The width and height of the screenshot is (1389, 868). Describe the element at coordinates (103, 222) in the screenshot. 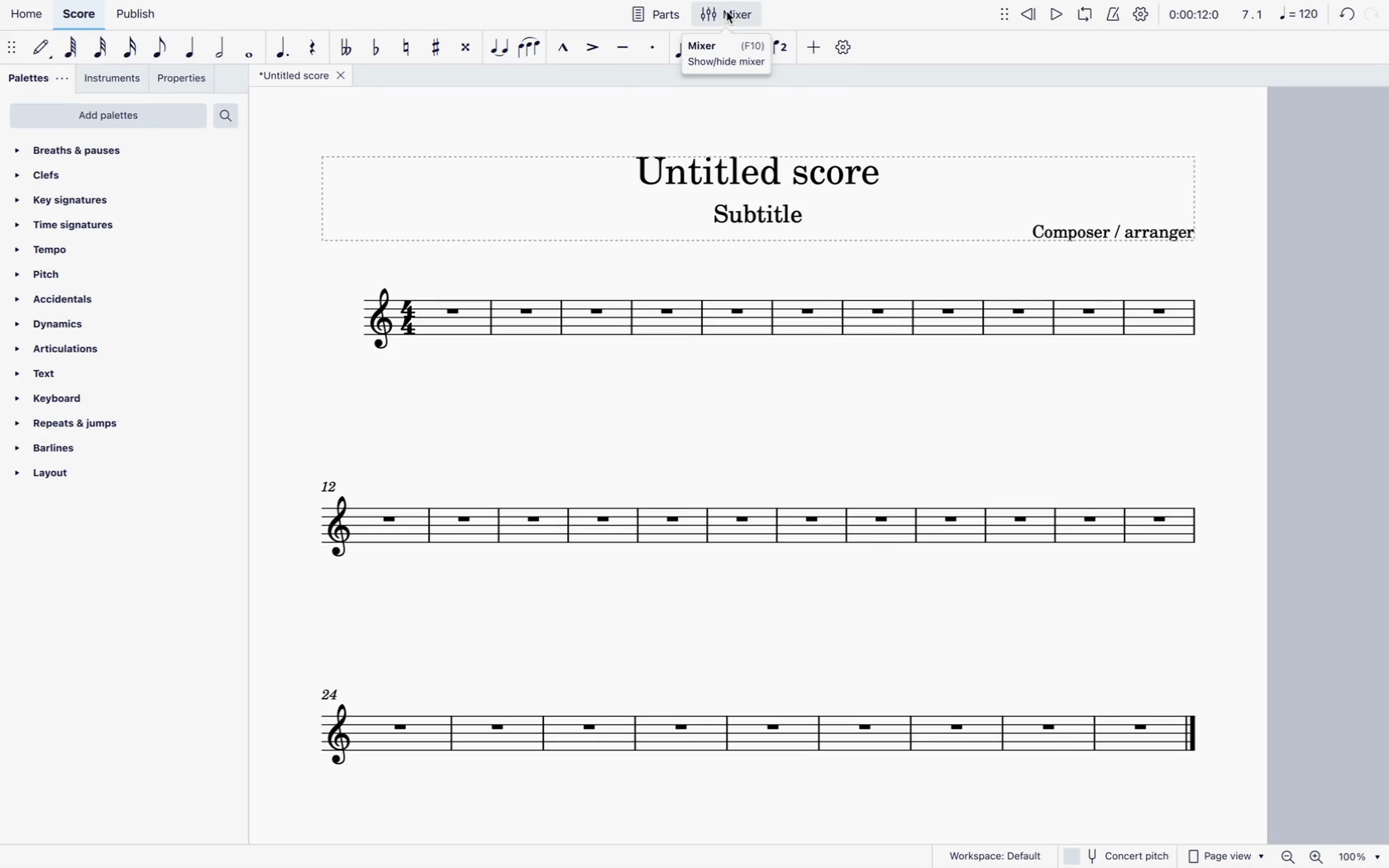

I see `time signatures` at that location.